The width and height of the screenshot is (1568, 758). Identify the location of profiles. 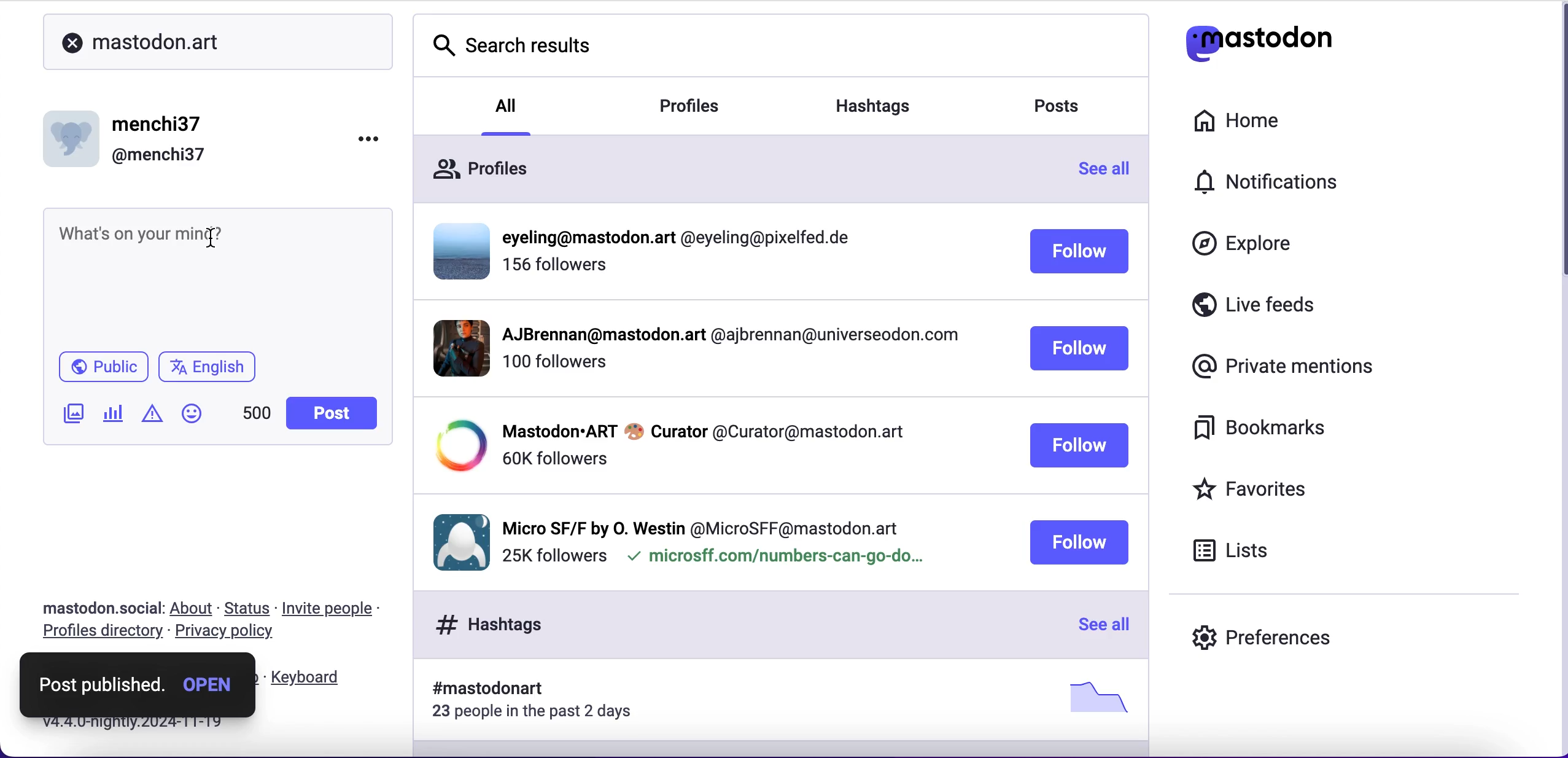
(696, 104).